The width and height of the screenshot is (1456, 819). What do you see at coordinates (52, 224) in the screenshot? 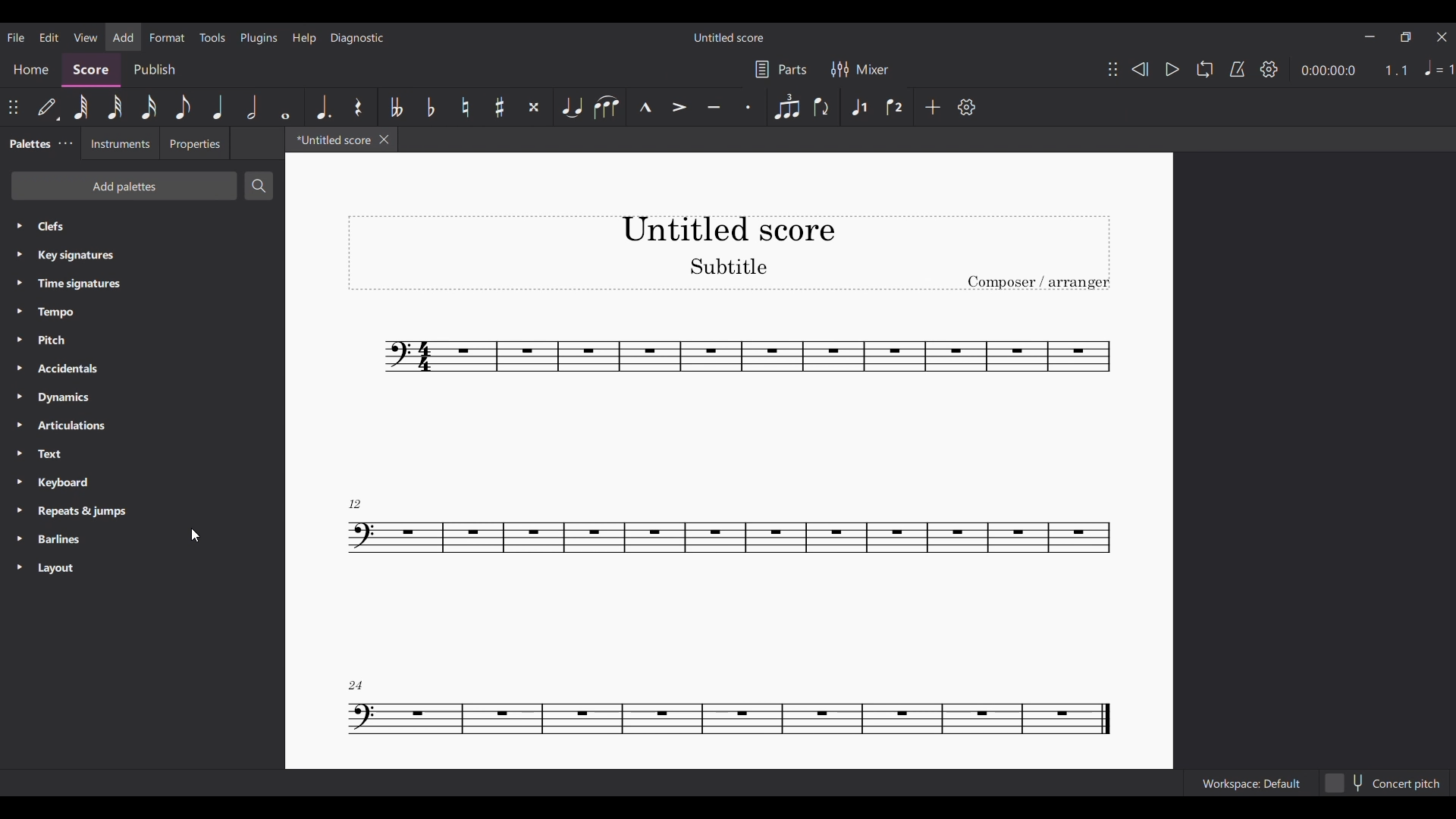
I see `Clefs` at bounding box center [52, 224].